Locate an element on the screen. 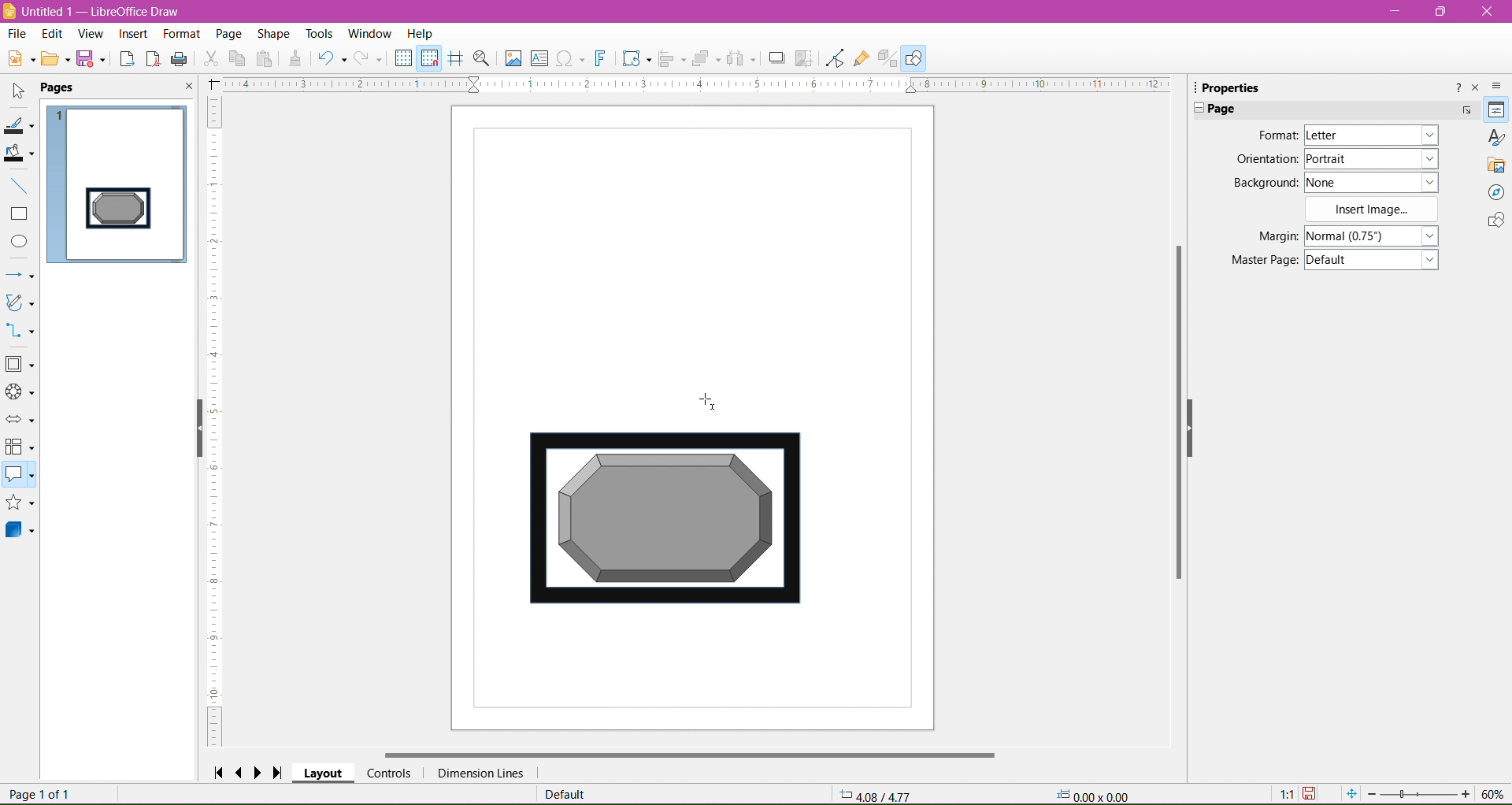  Page is located at coordinates (1228, 109).